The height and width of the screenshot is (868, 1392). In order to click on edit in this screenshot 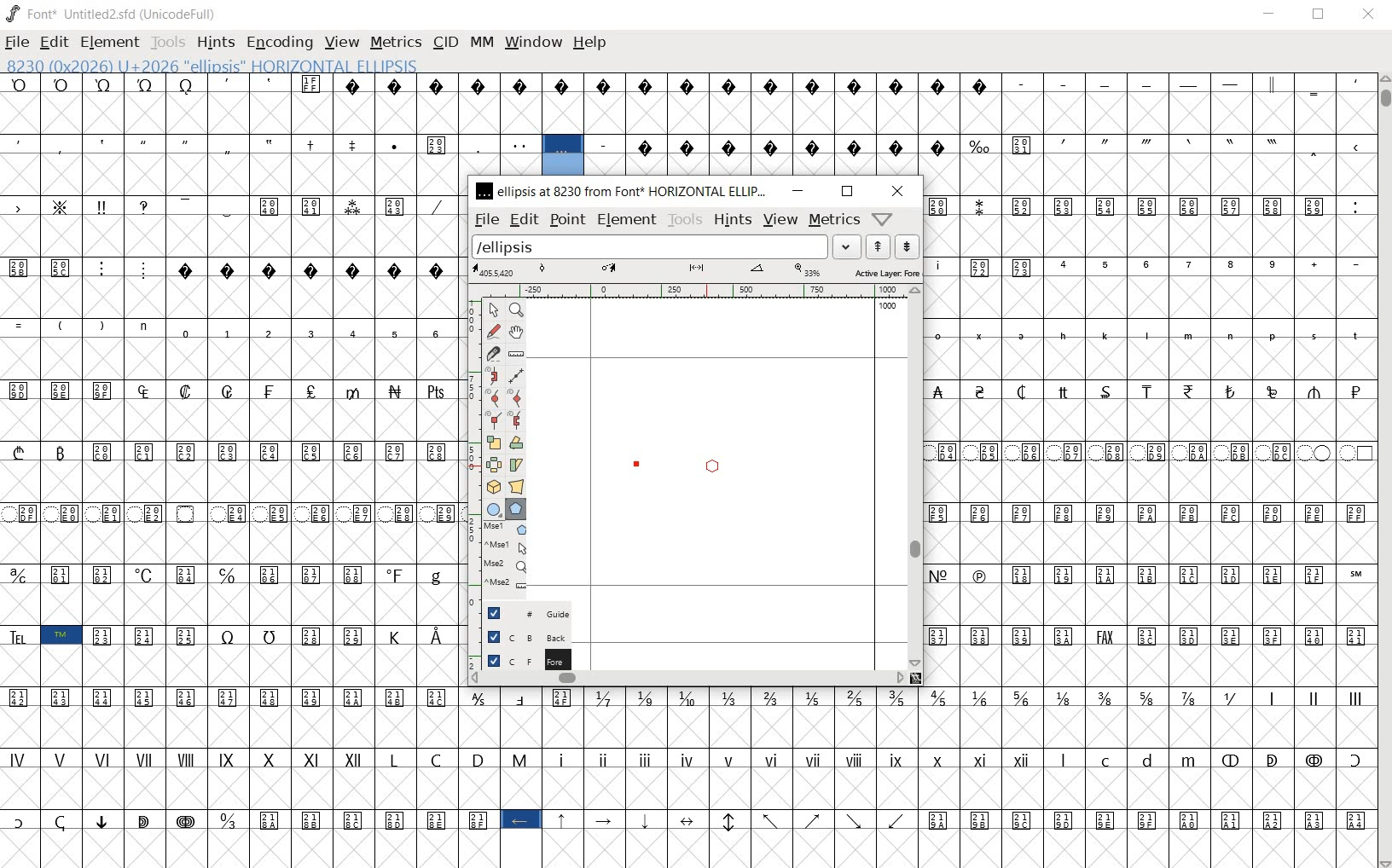, I will do `click(522, 219)`.